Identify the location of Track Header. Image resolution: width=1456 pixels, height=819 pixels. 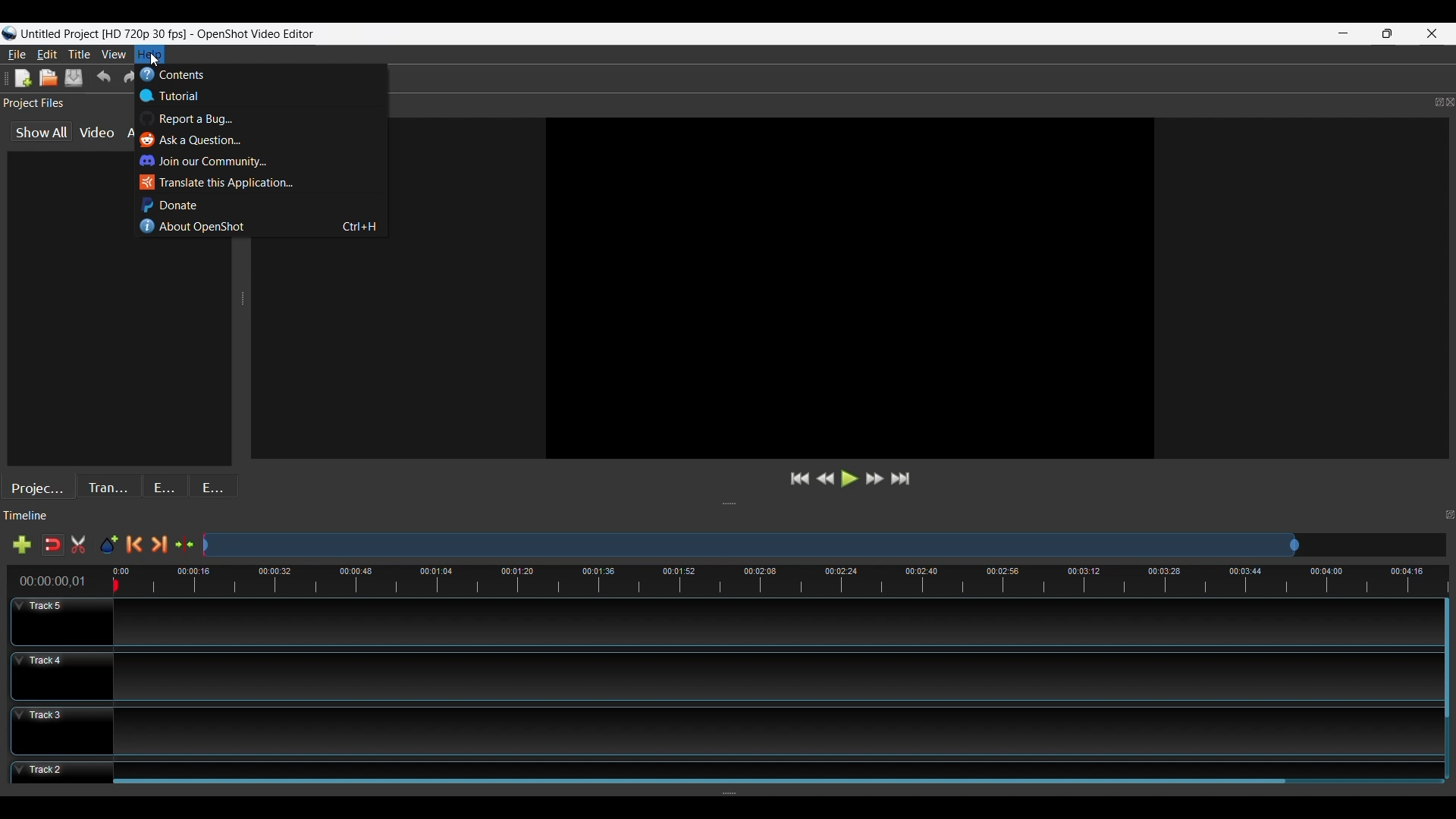
(58, 676).